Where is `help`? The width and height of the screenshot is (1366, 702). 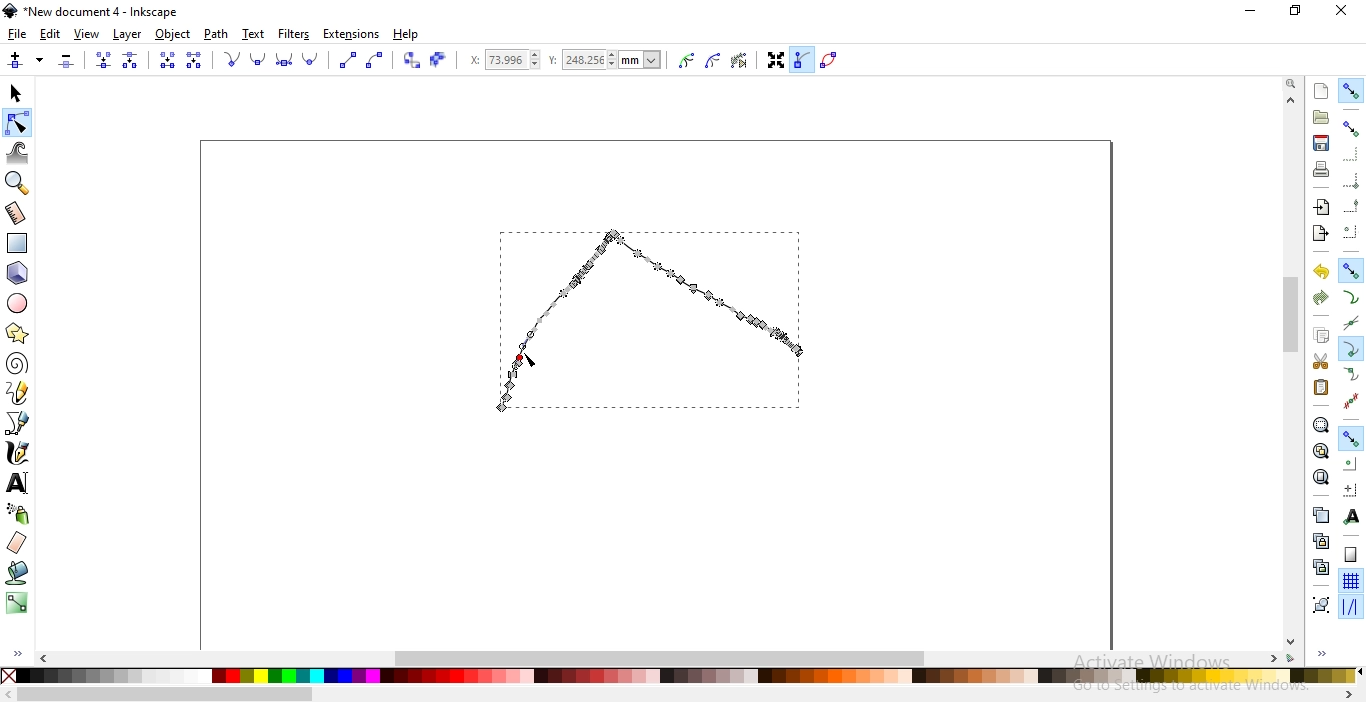
help is located at coordinates (406, 35).